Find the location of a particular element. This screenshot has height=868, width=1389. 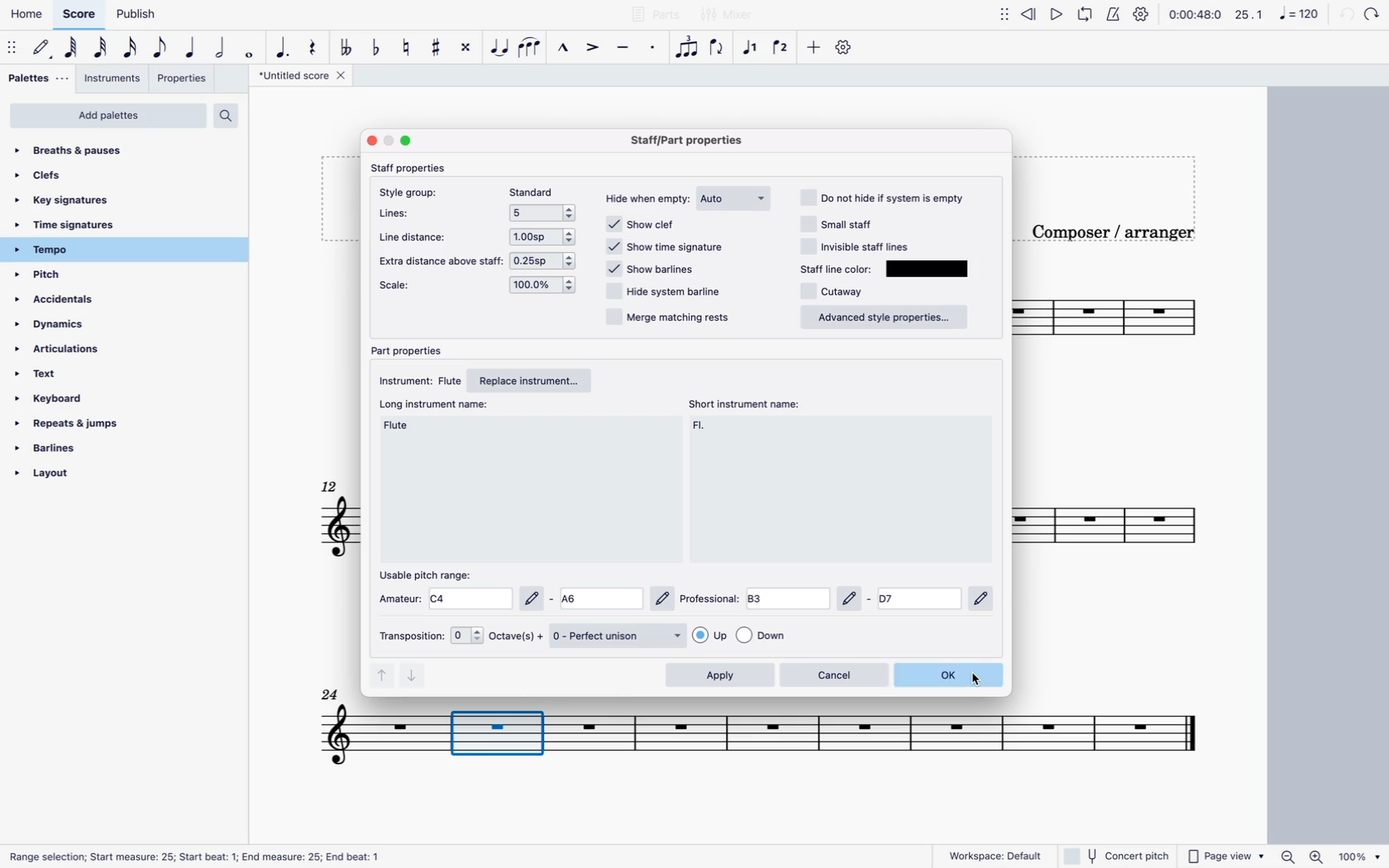

keyboard is located at coordinates (61, 398).